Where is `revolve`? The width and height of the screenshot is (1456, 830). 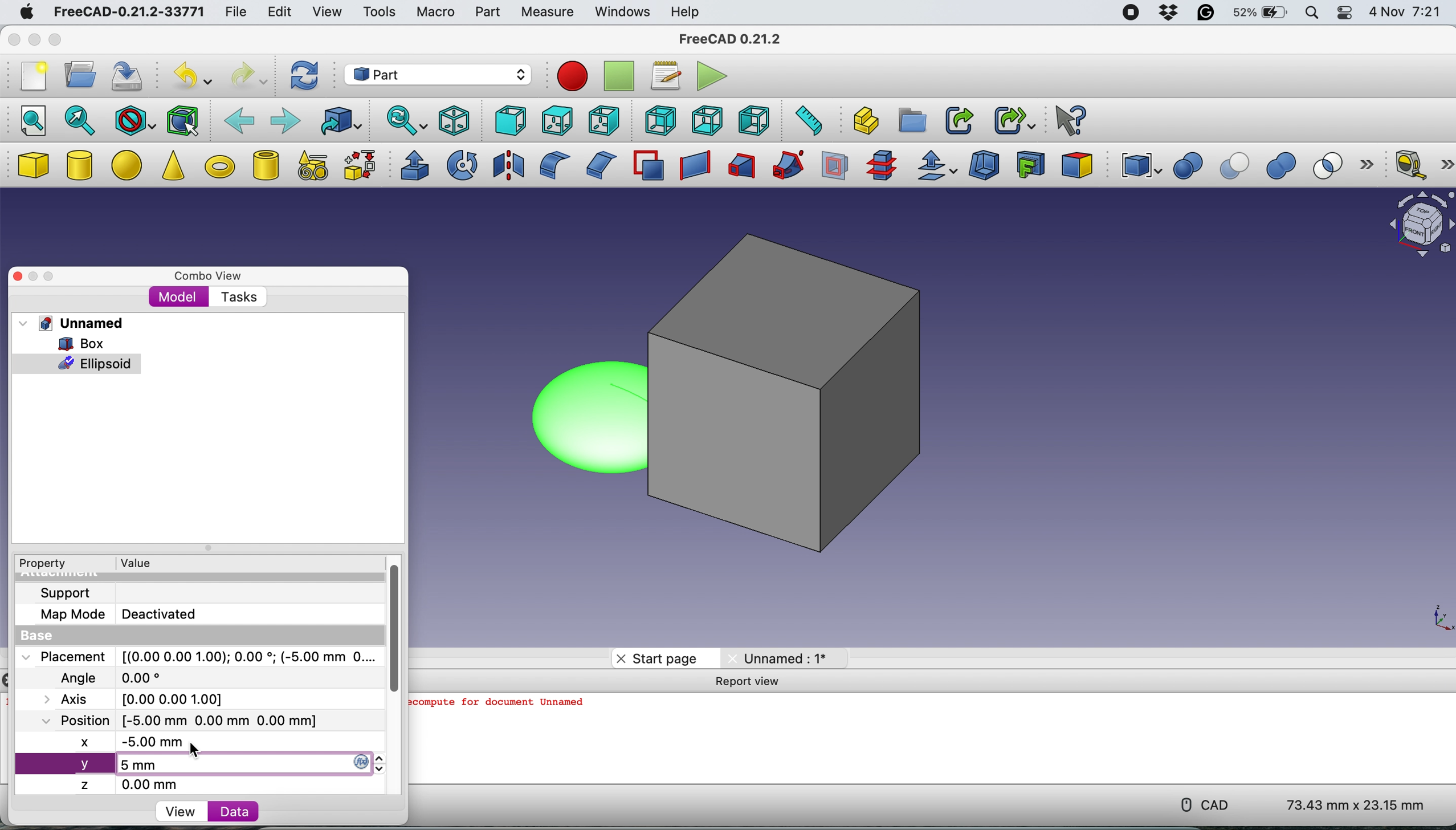 revolve is located at coordinates (463, 164).